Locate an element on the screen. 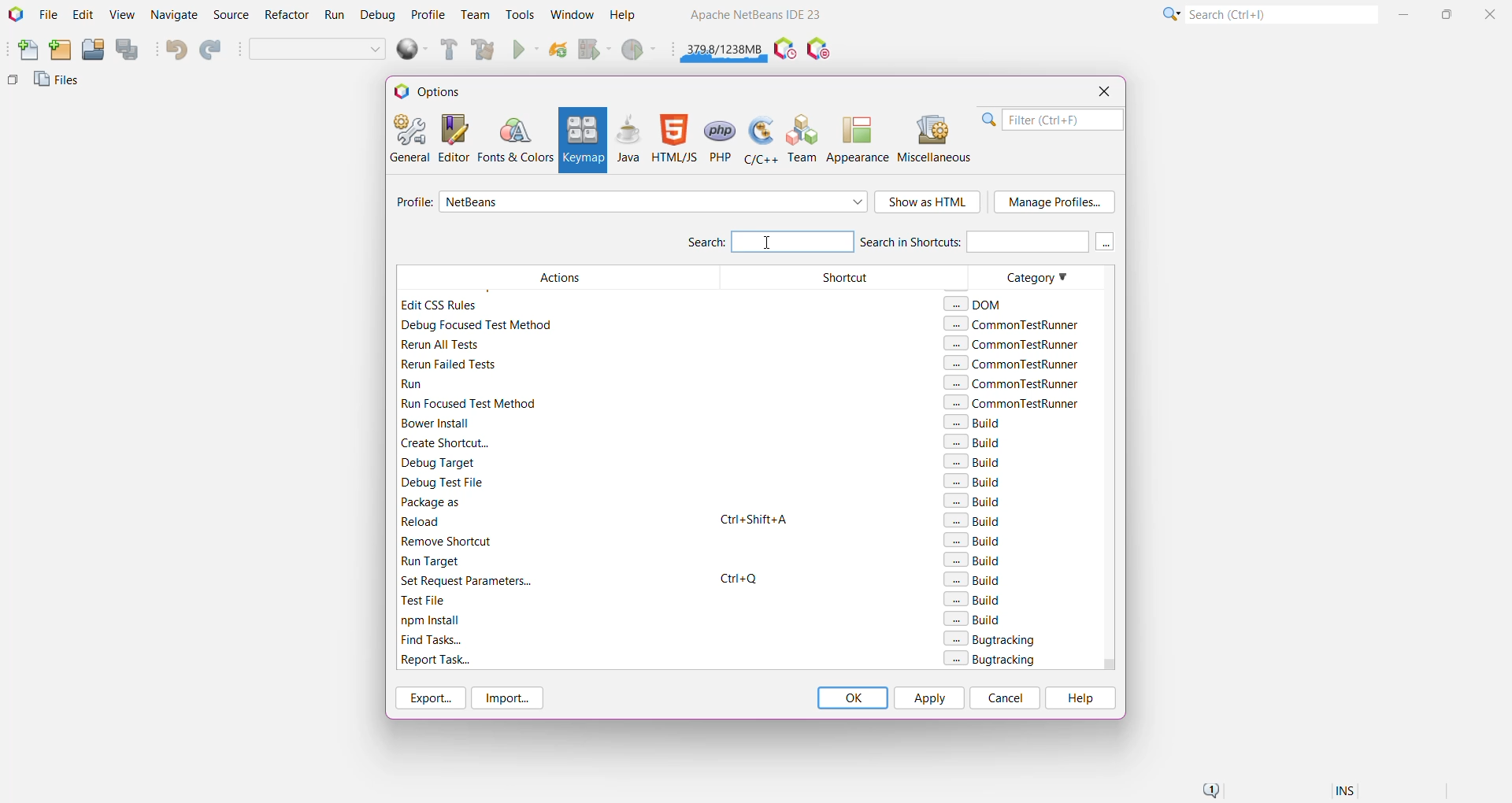 Image resolution: width=1512 pixels, height=803 pixels. Team is located at coordinates (474, 15).